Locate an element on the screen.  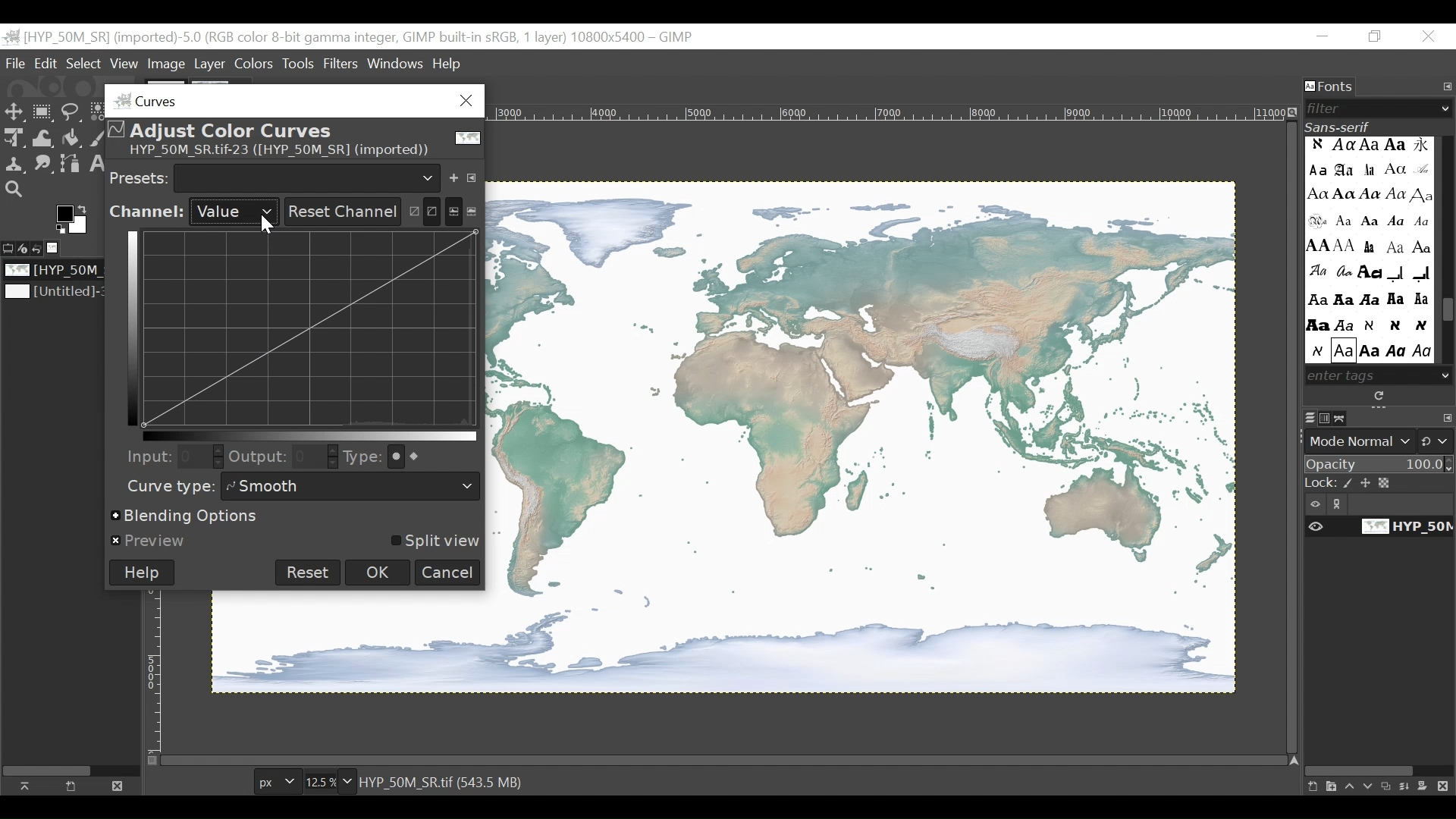
Histogram is located at coordinates (463, 210).